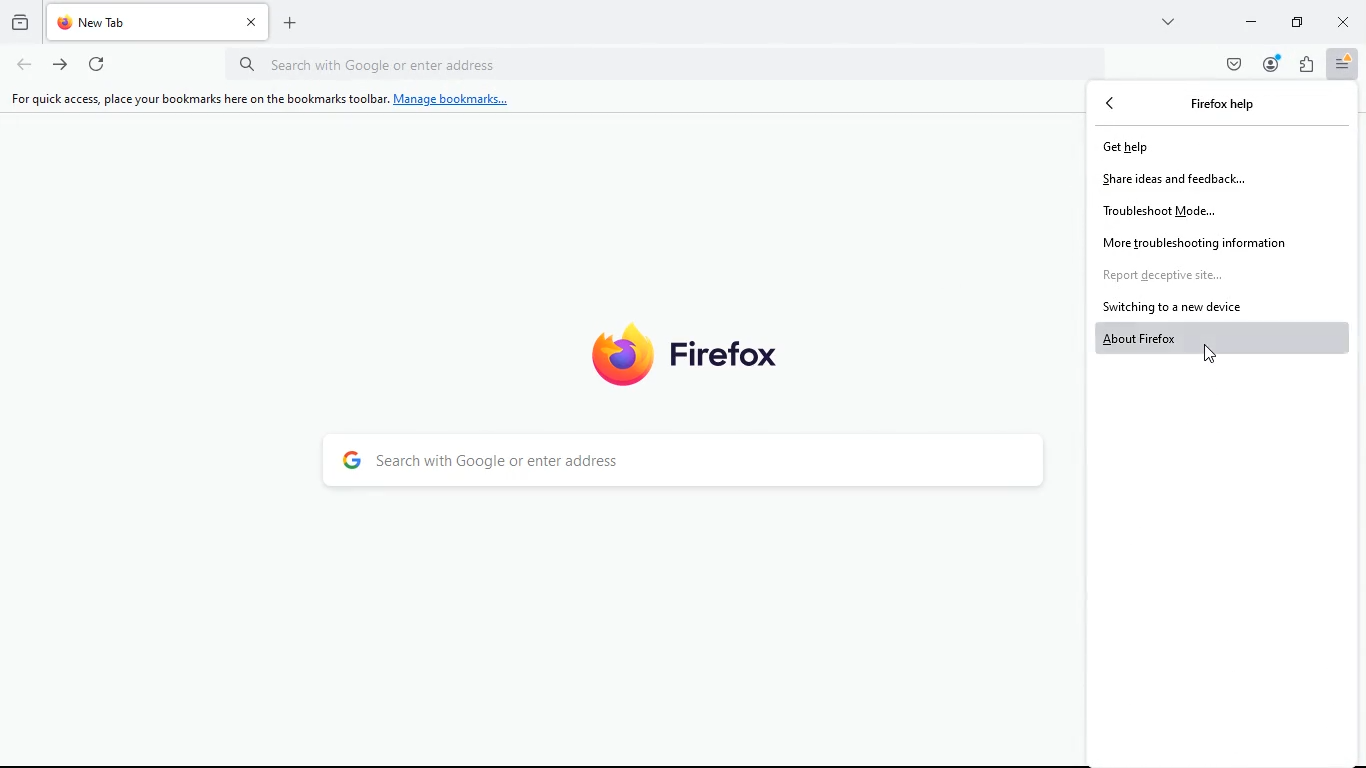  What do you see at coordinates (1186, 275) in the screenshot?
I see `report deceptive site` at bounding box center [1186, 275].